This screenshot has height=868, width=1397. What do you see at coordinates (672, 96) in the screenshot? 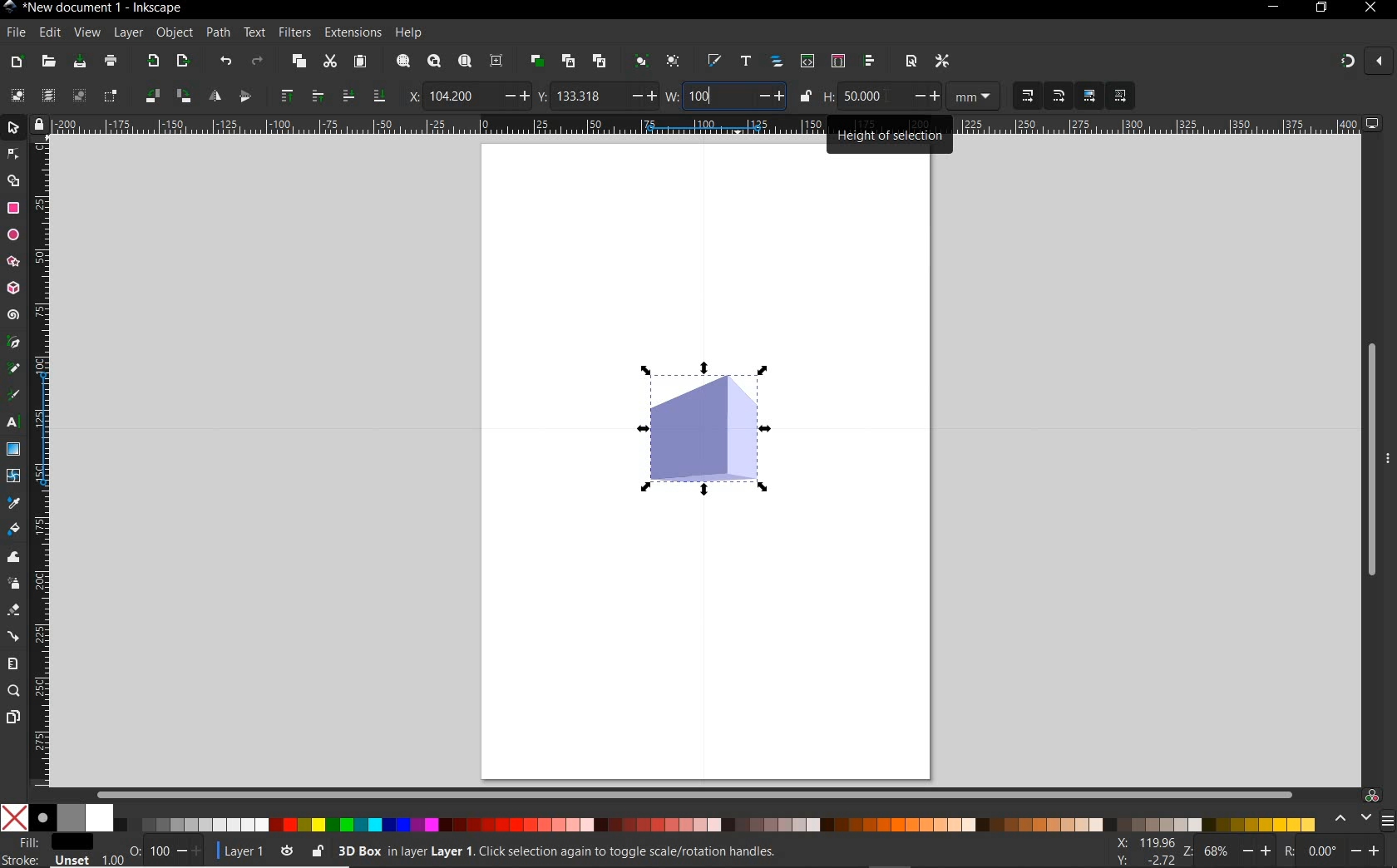
I see `w` at bounding box center [672, 96].